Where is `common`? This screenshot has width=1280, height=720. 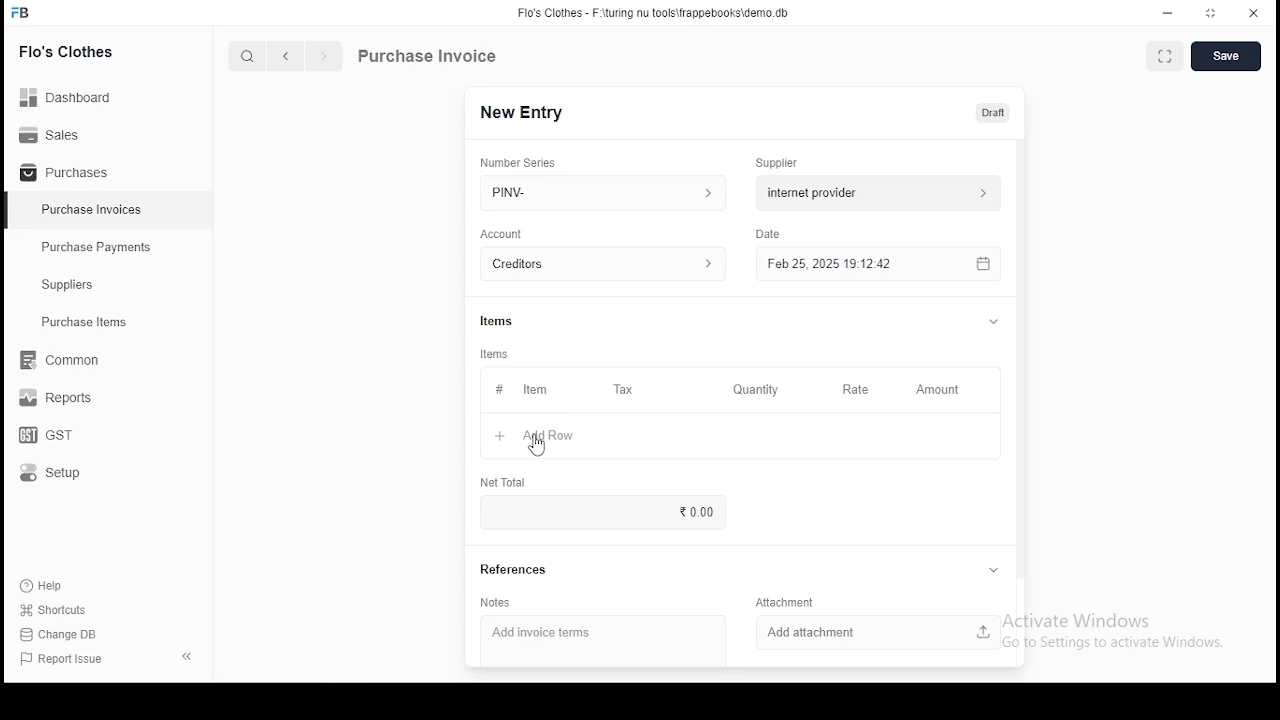
common is located at coordinates (65, 360).